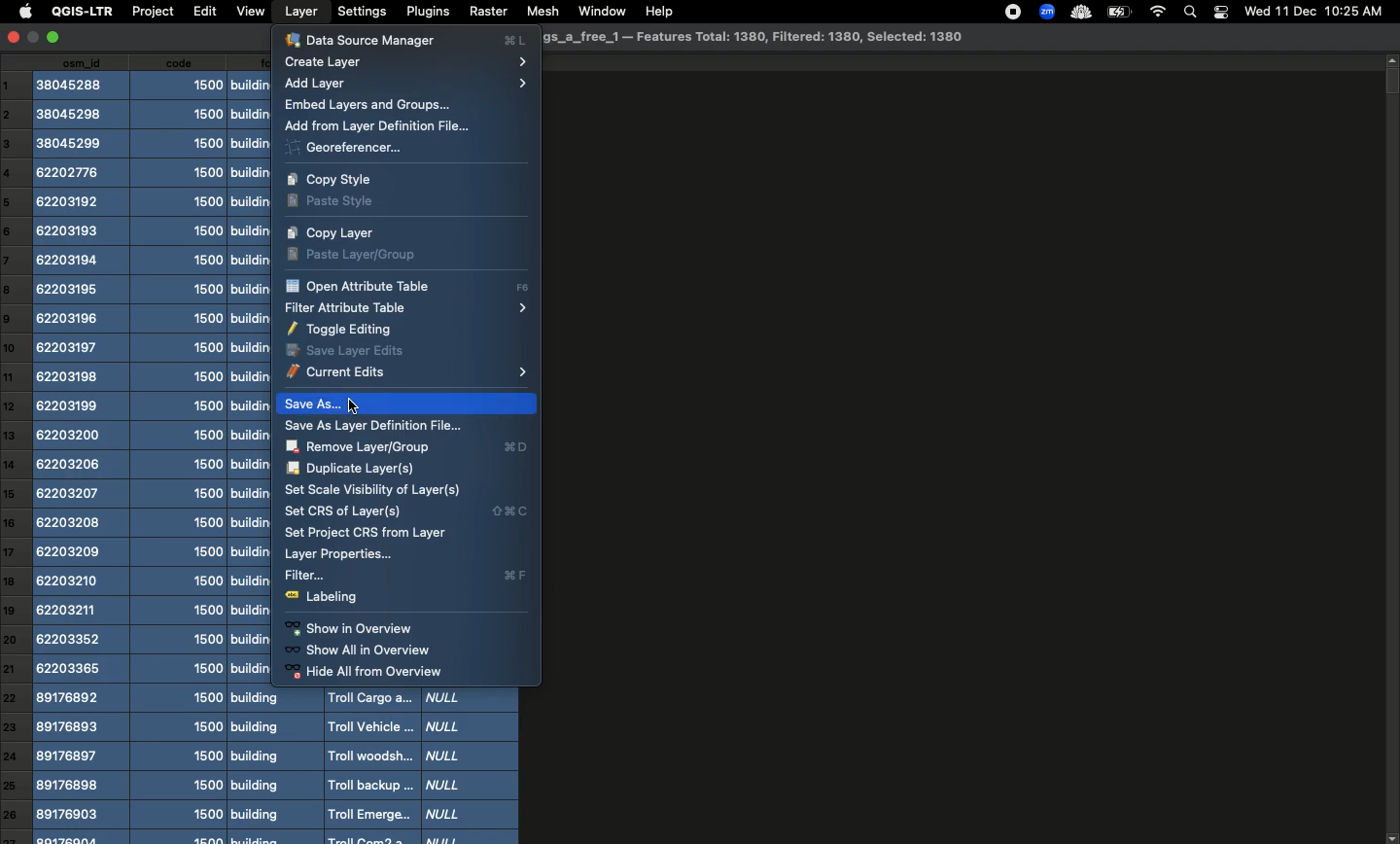 The image size is (1400, 844). What do you see at coordinates (336, 555) in the screenshot?
I see `Layer properties` at bounding box center [336, 555].